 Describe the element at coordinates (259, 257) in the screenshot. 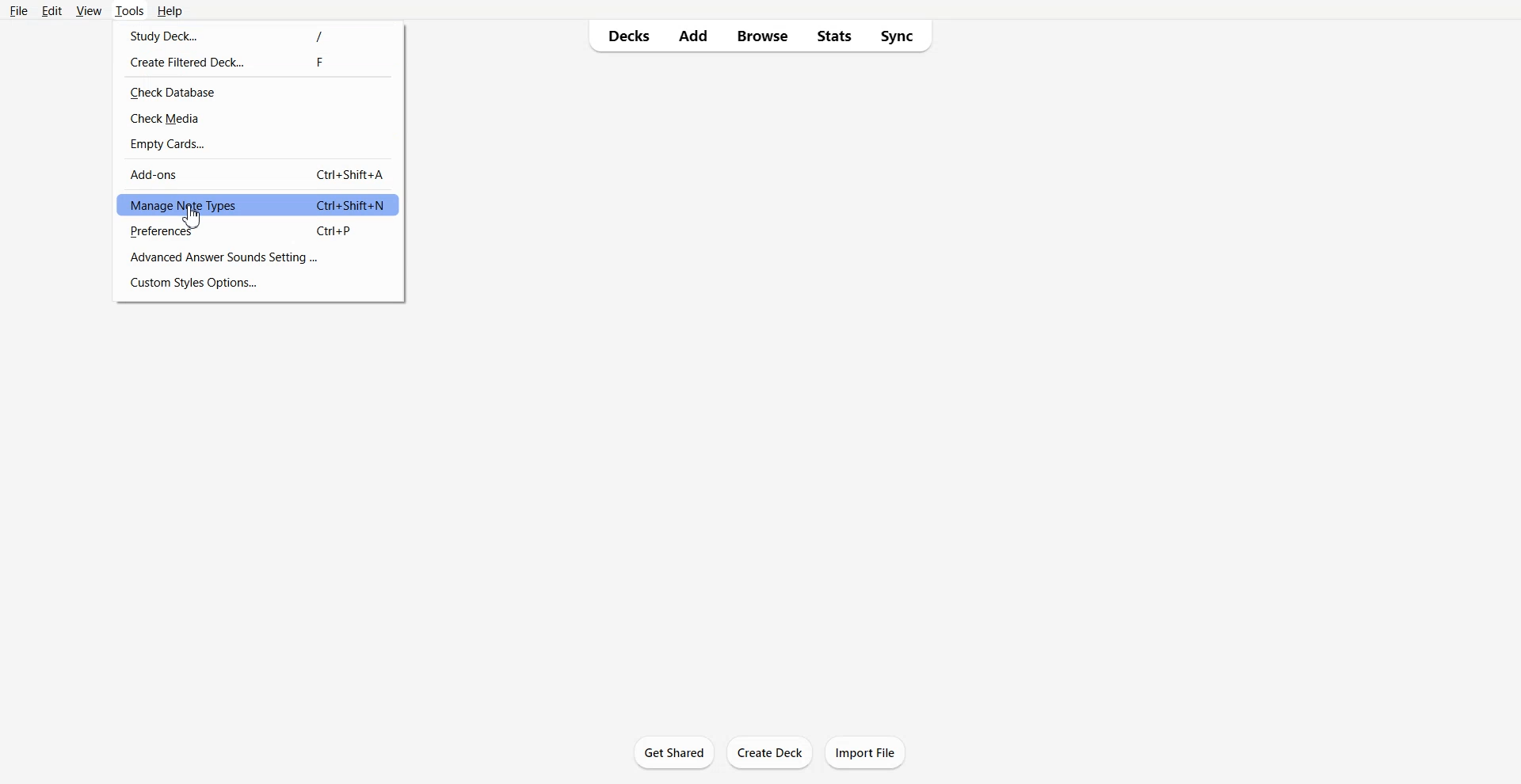

I see `Advance Answer Sounds Settings` at that location.